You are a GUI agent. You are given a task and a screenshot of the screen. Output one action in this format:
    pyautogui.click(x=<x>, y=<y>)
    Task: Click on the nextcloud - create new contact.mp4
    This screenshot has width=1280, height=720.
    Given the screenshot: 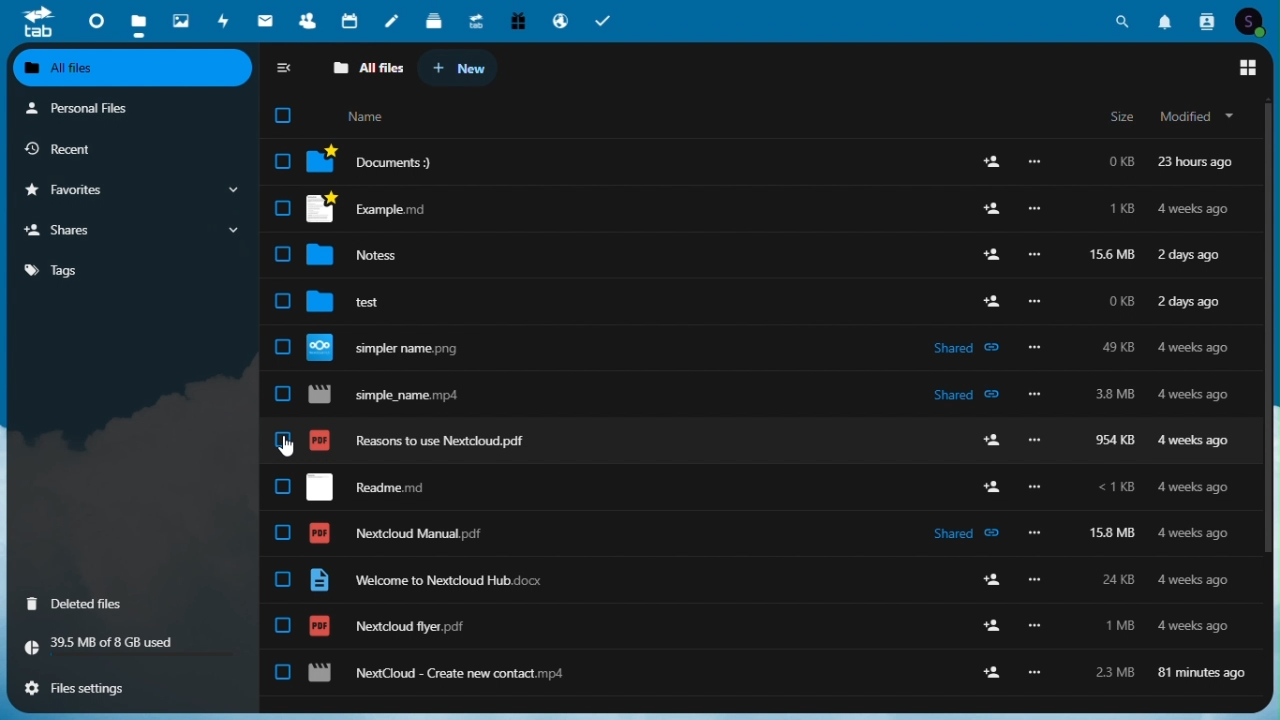 What is the action you would take?
    pyautogui.click(x=437, y=674)
    